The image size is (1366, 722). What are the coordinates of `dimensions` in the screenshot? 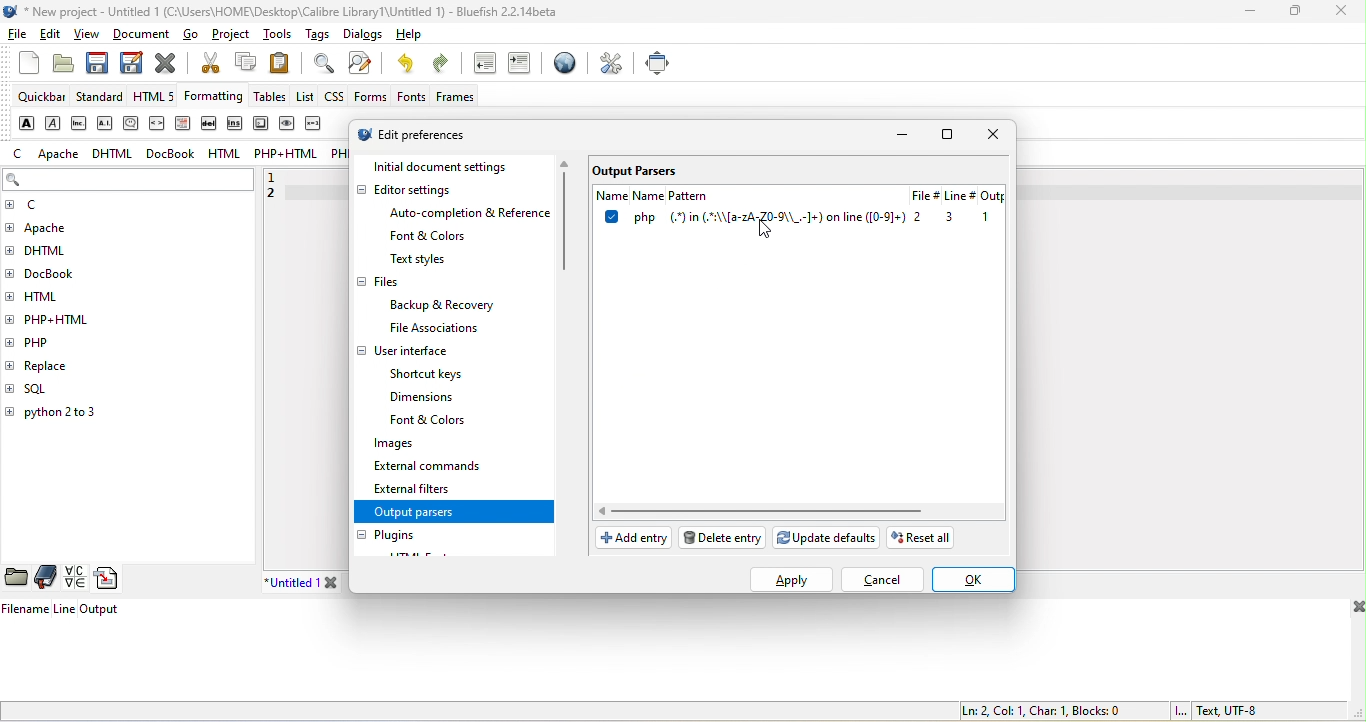 It's located at (426, 398).